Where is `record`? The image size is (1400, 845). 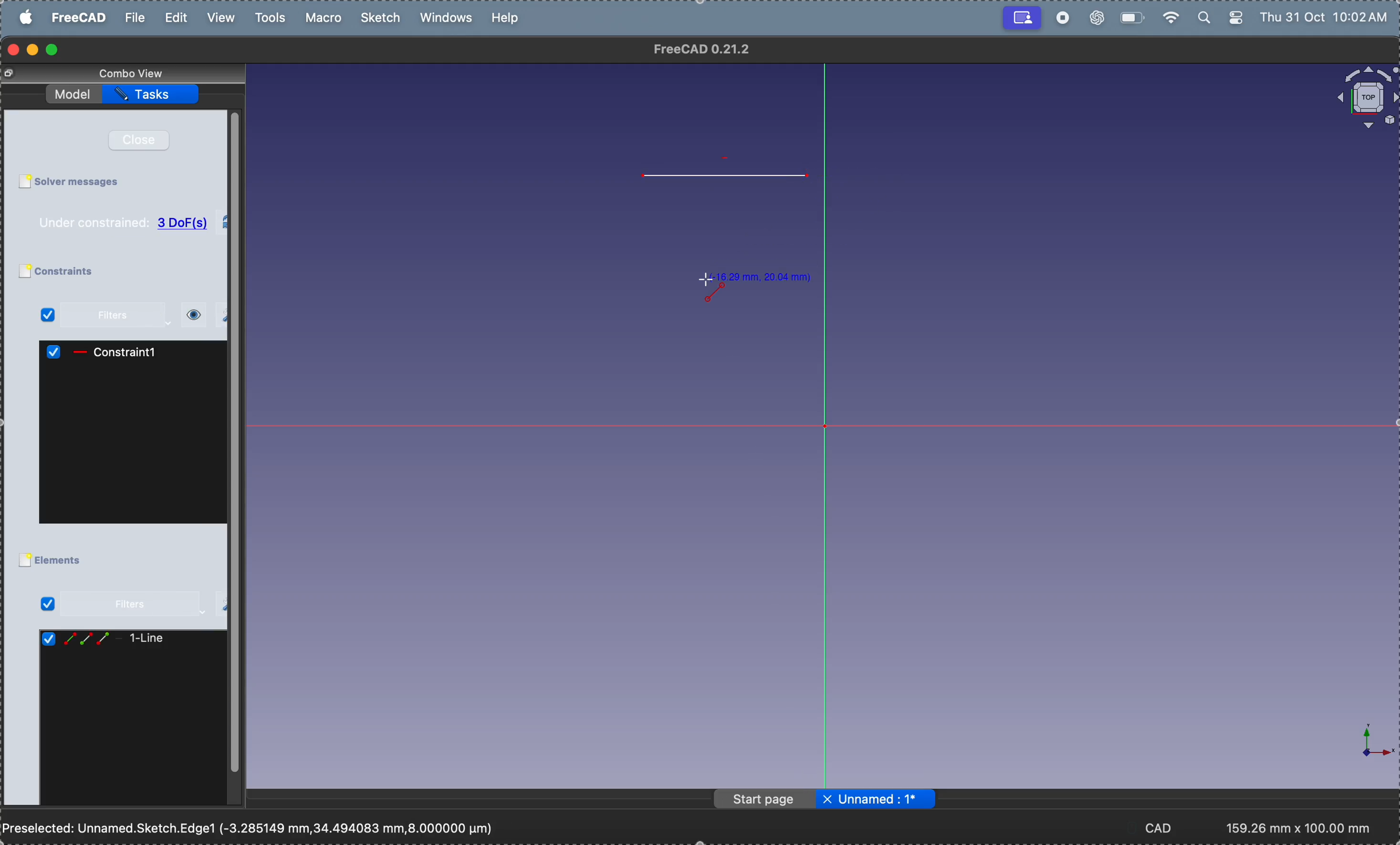
record is located at coordinates (1062, 18).